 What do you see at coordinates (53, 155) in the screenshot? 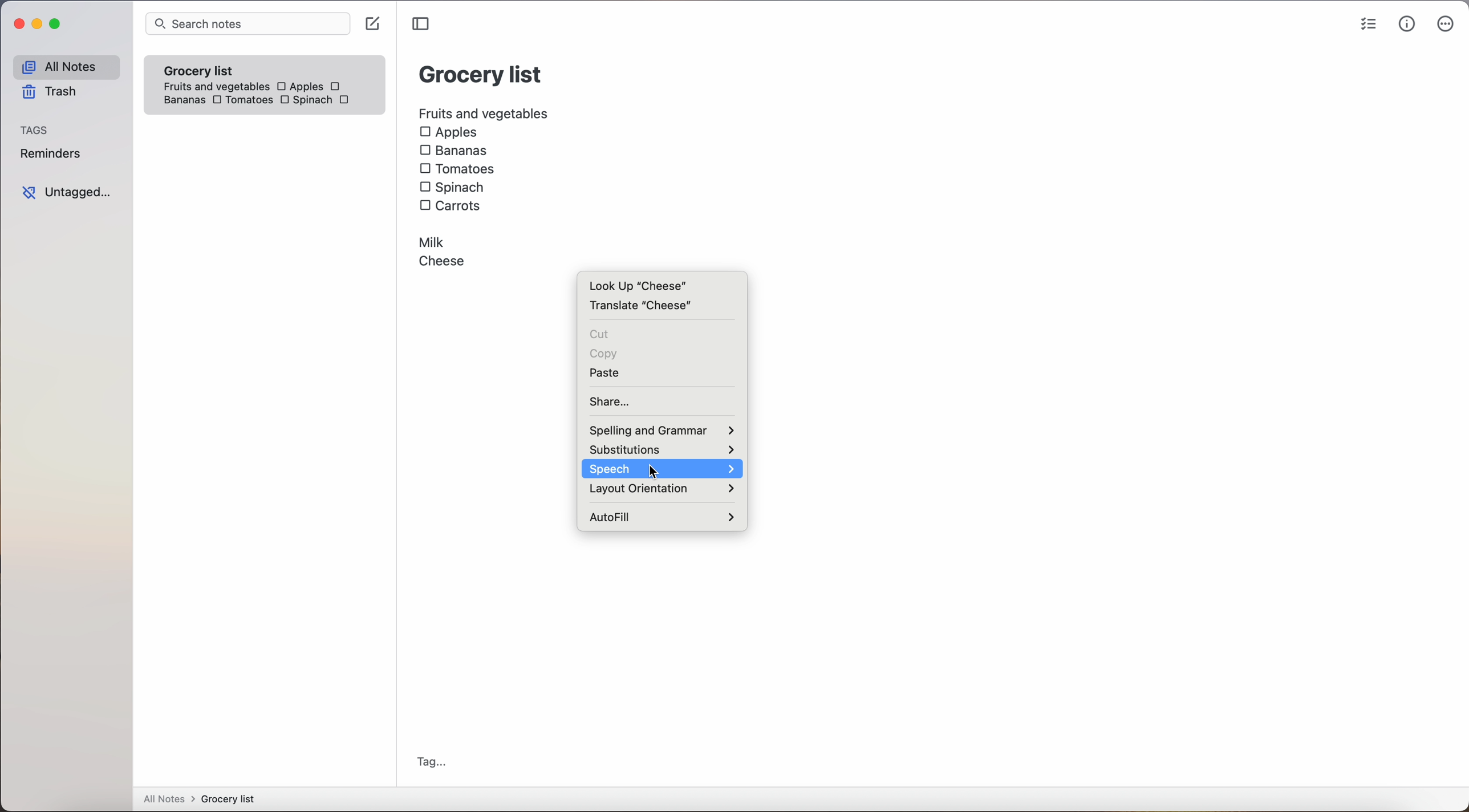
I see `reminders` at bounding box center [53, 155].